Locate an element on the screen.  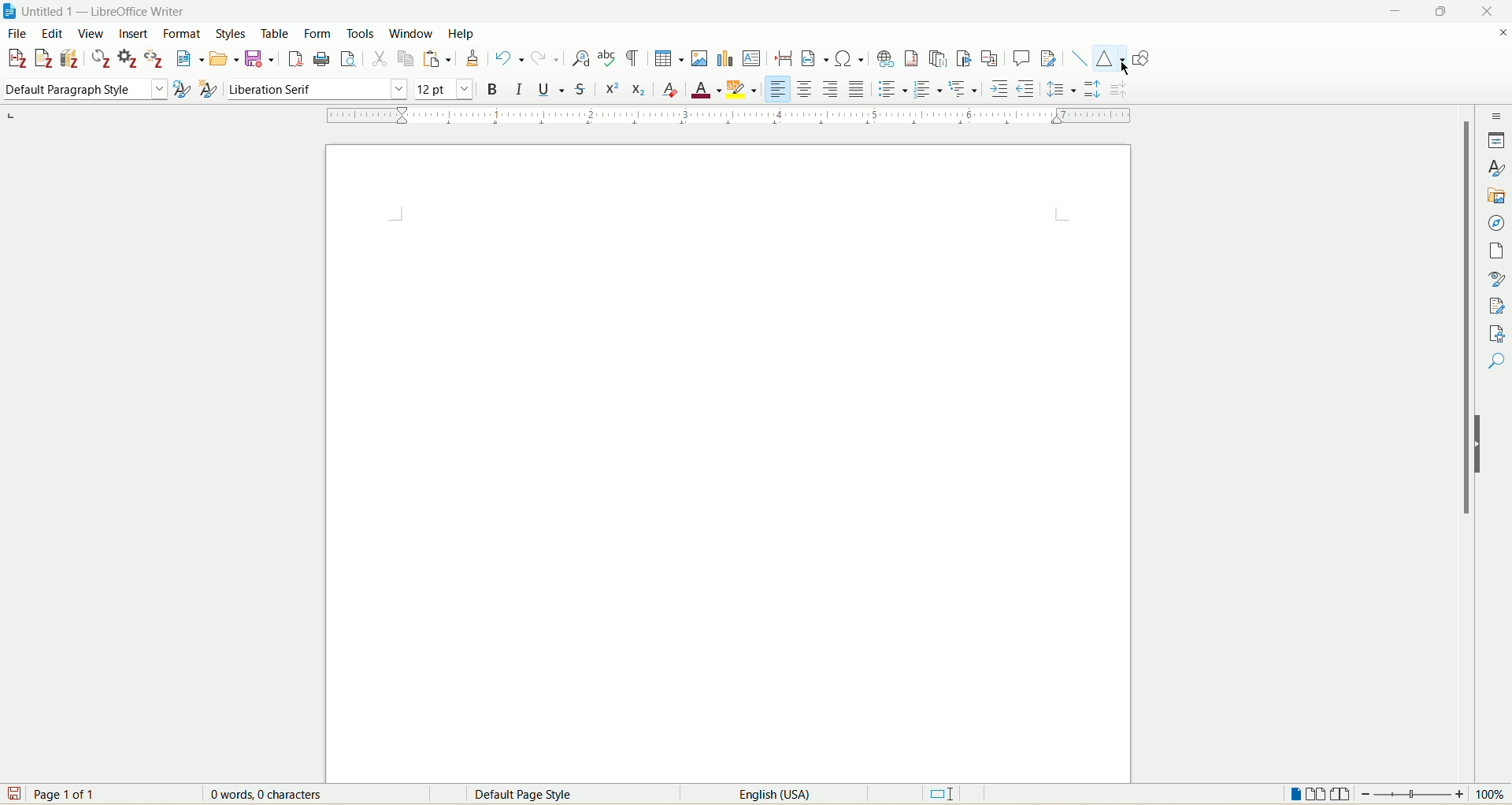
page  is located at coordinates (1499, 251).